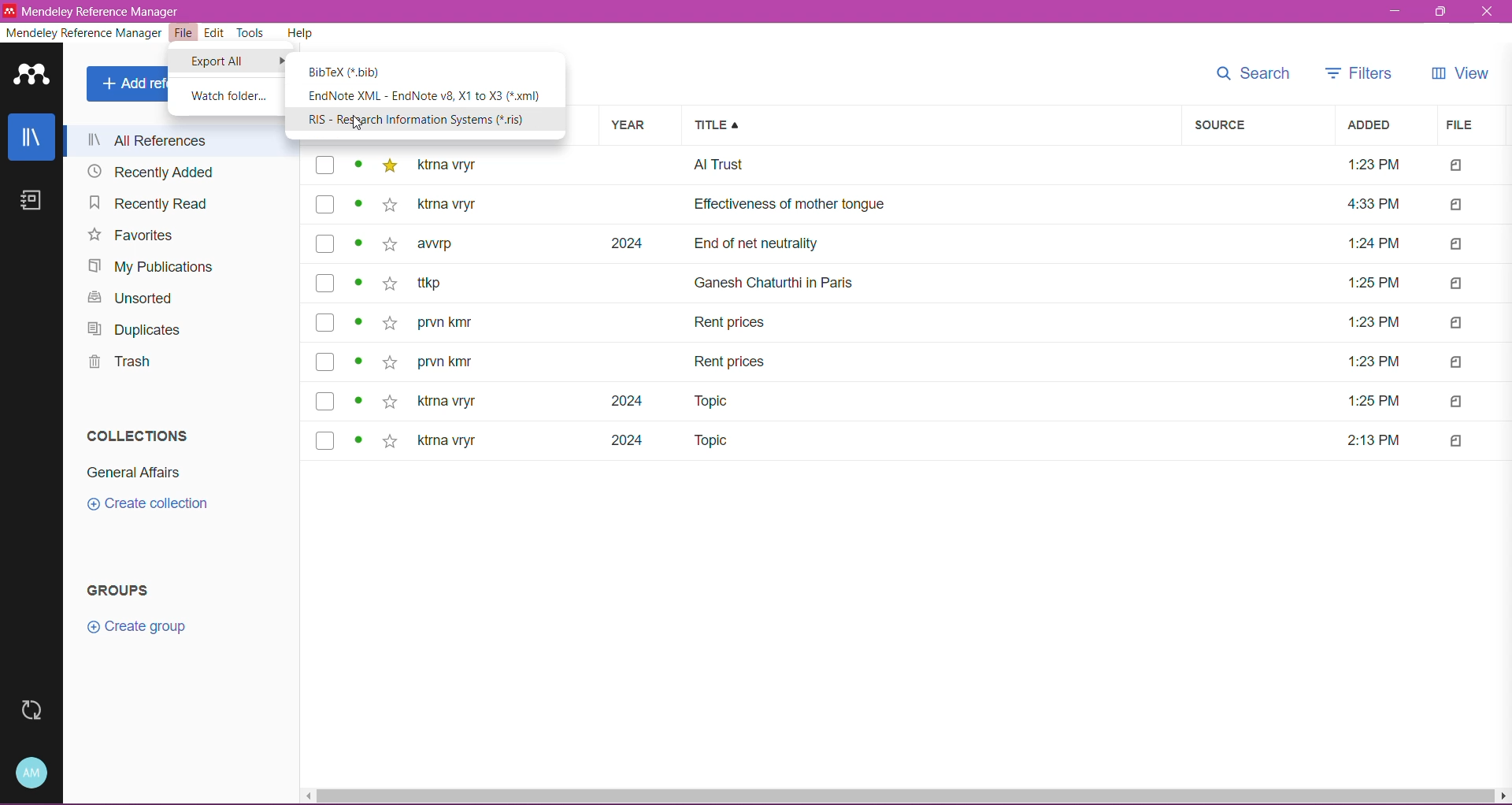 The height and width of the screenshot is (805, 1512). What do you see at coordinates (182, 141) in the screenshot?
I see `All References` at bounding box center [182, 141].